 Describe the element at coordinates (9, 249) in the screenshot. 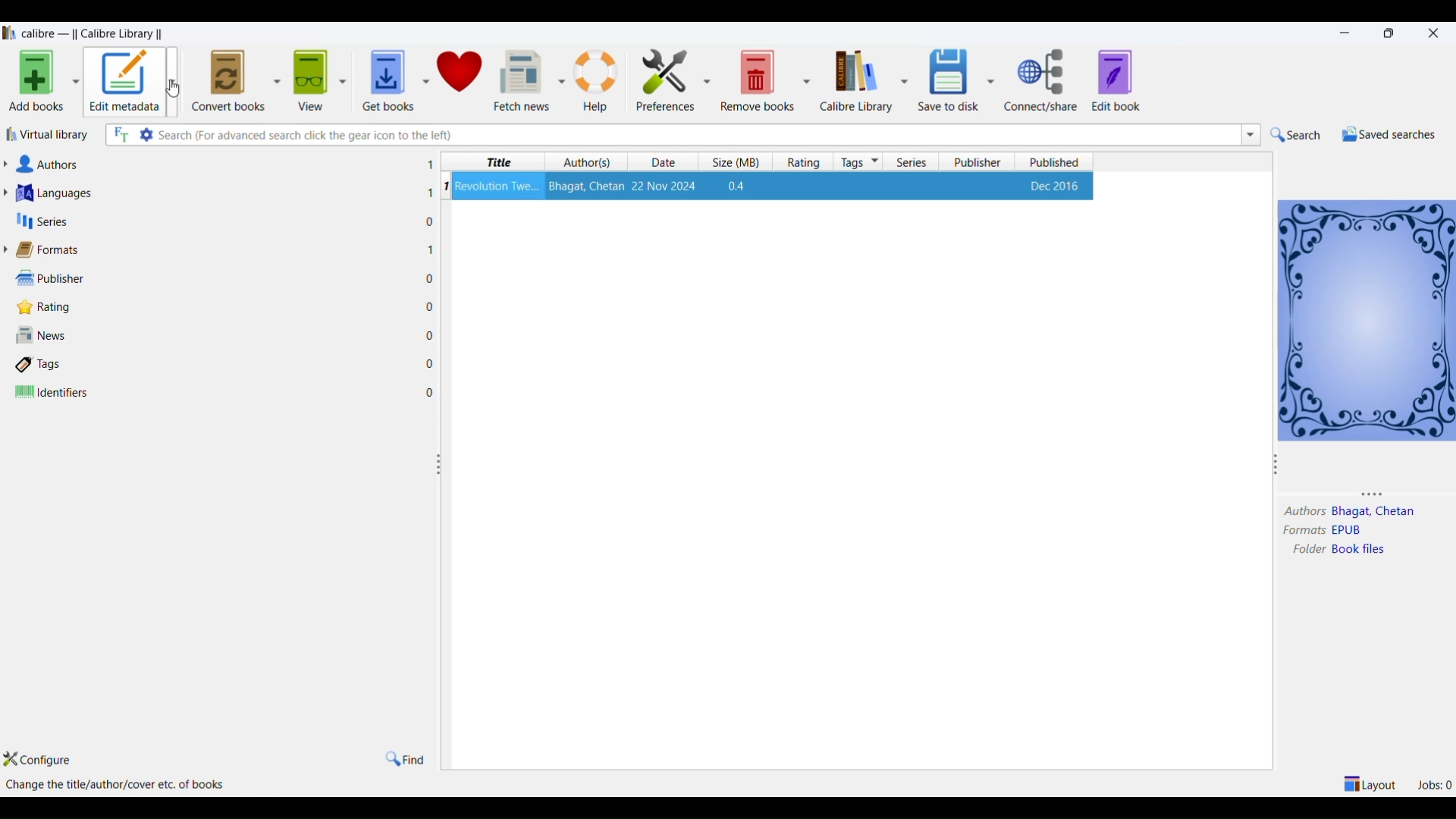

I see `view all formats dropdown button` at that location.